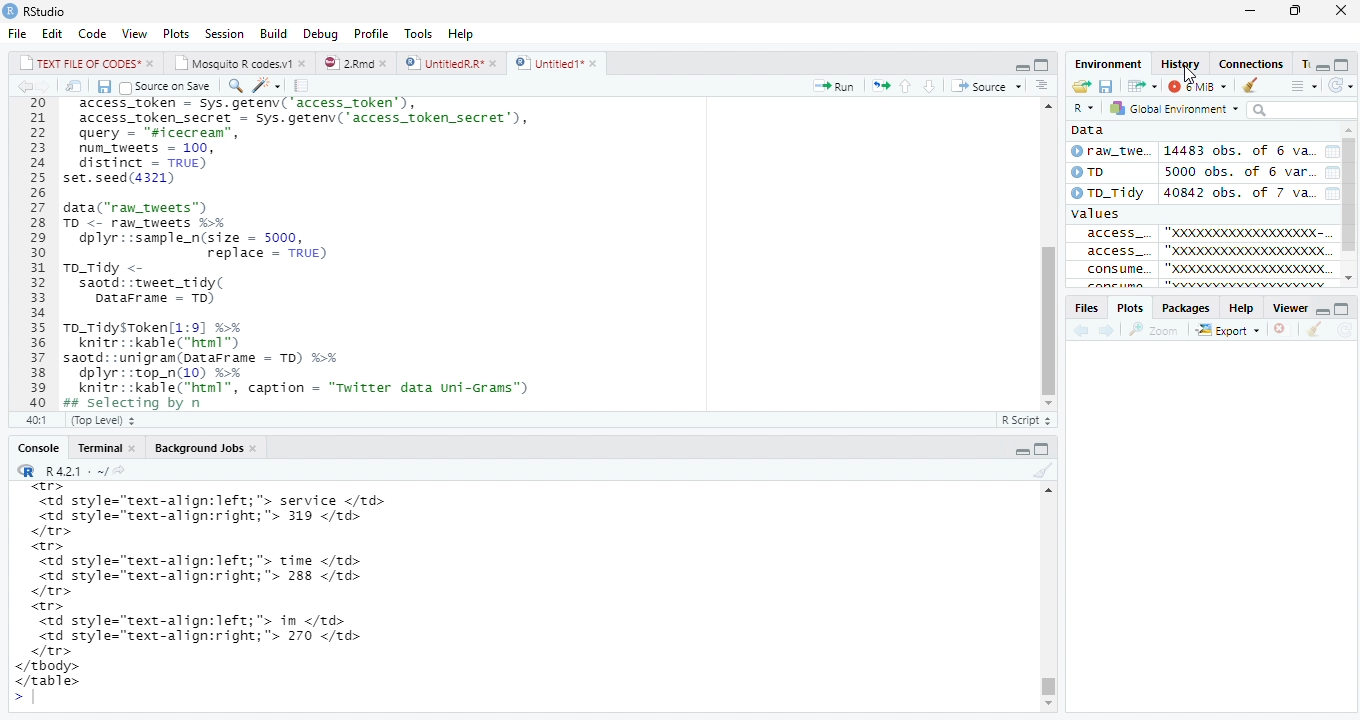 The image size is (1360, 720). What do you see at coordinates (1183, 308) in the screenshot?
I see `Packages` at bounding box center [1183, 308].